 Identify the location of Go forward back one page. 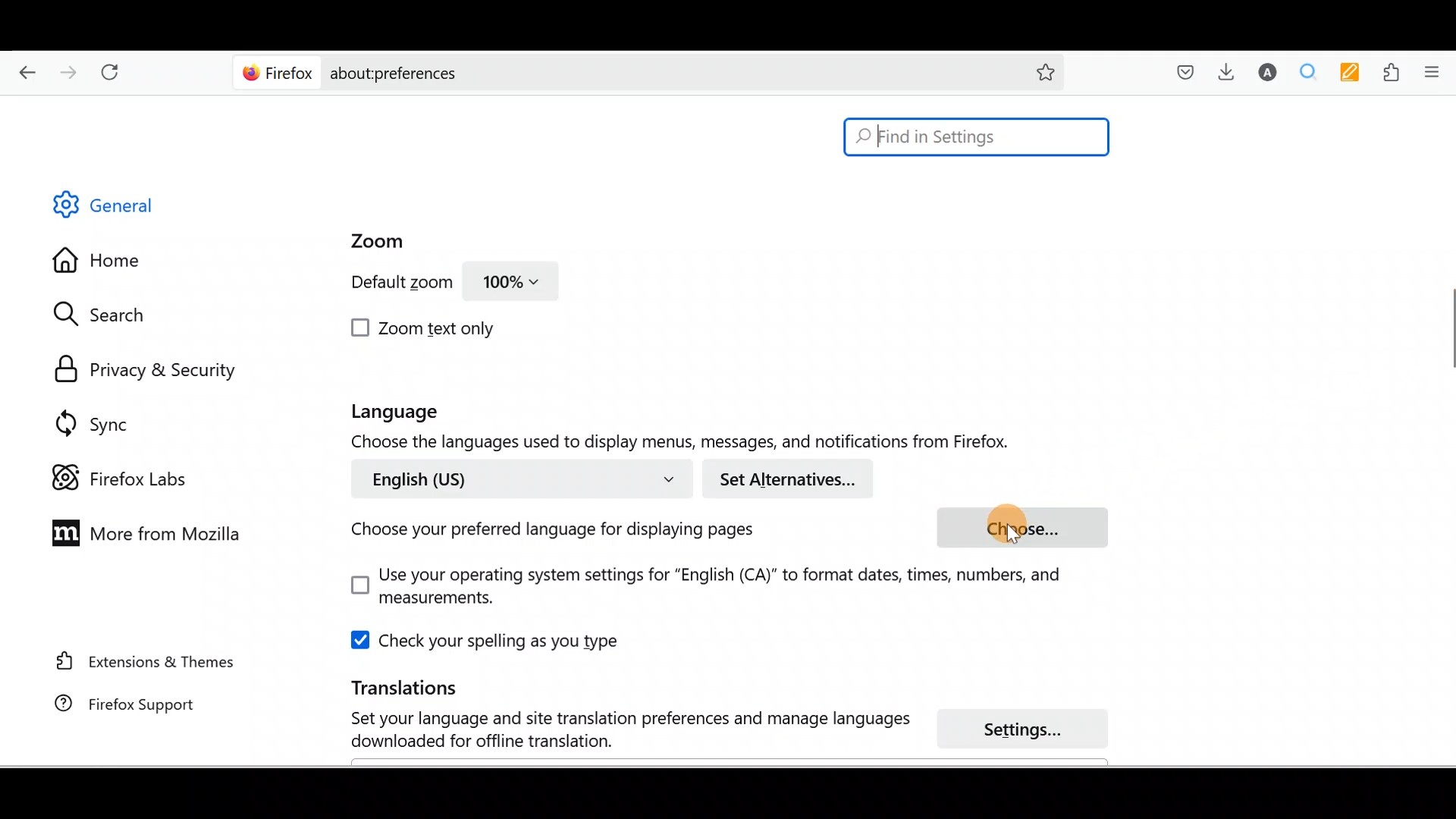
(71, 71).